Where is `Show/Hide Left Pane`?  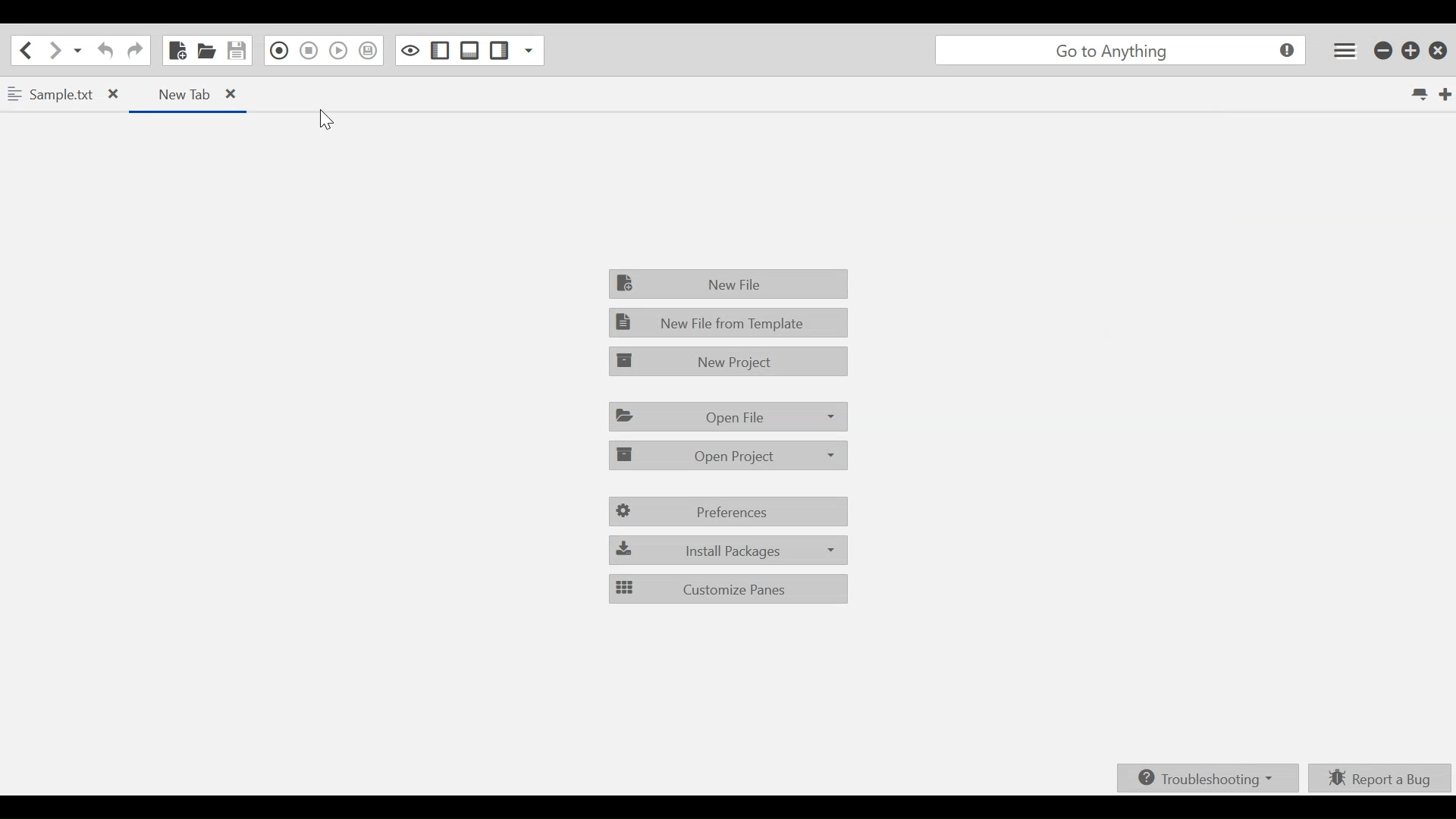
Show/Hide Left Pane is located at coordinates (440, 51).